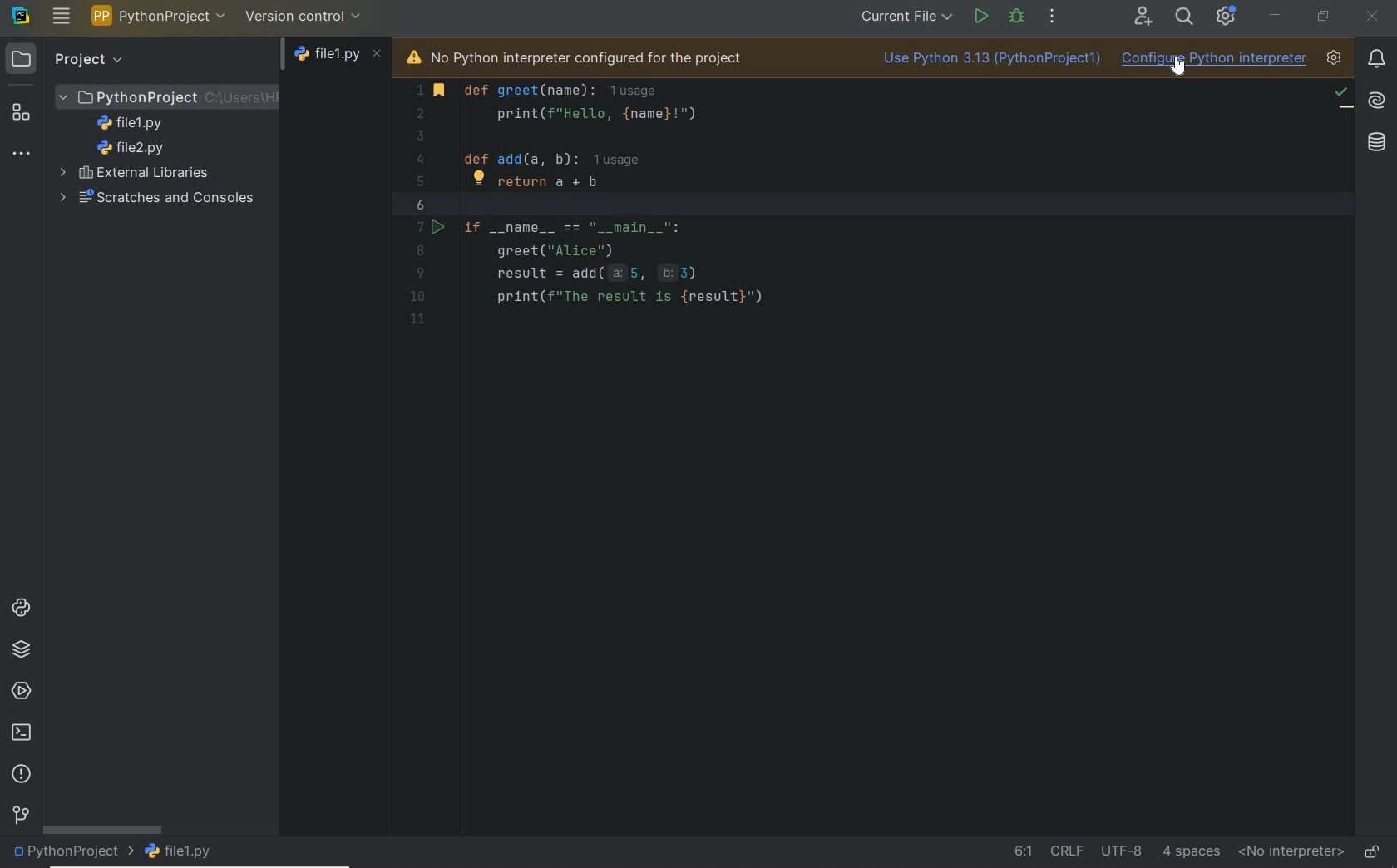 This screenshot has width=1397, height=868. I want to click on run, so click(980, 15).